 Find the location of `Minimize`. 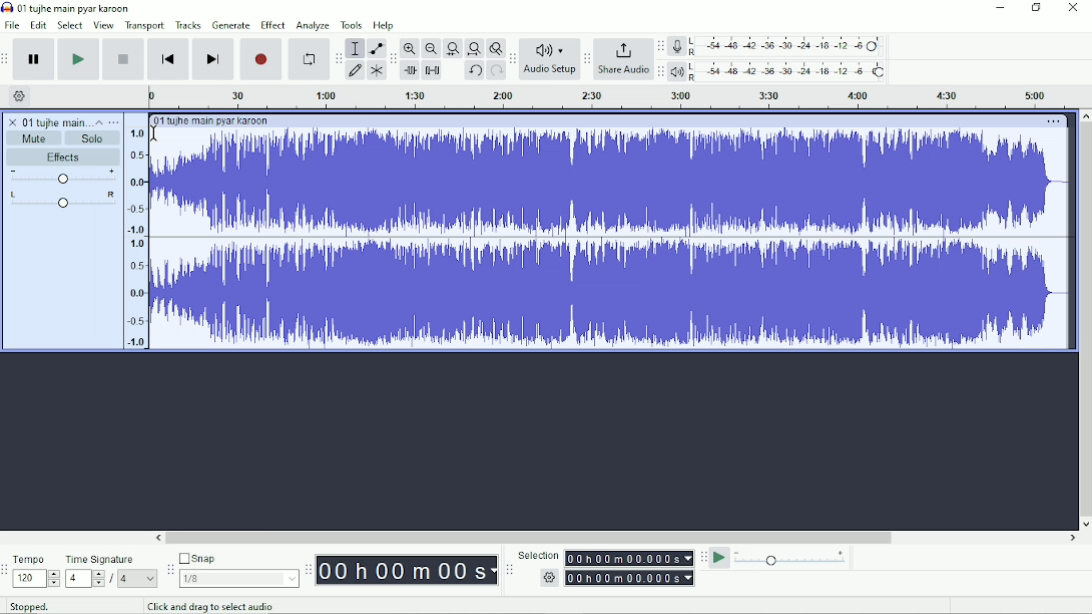

Minimize is located at coordinates (998, 8).